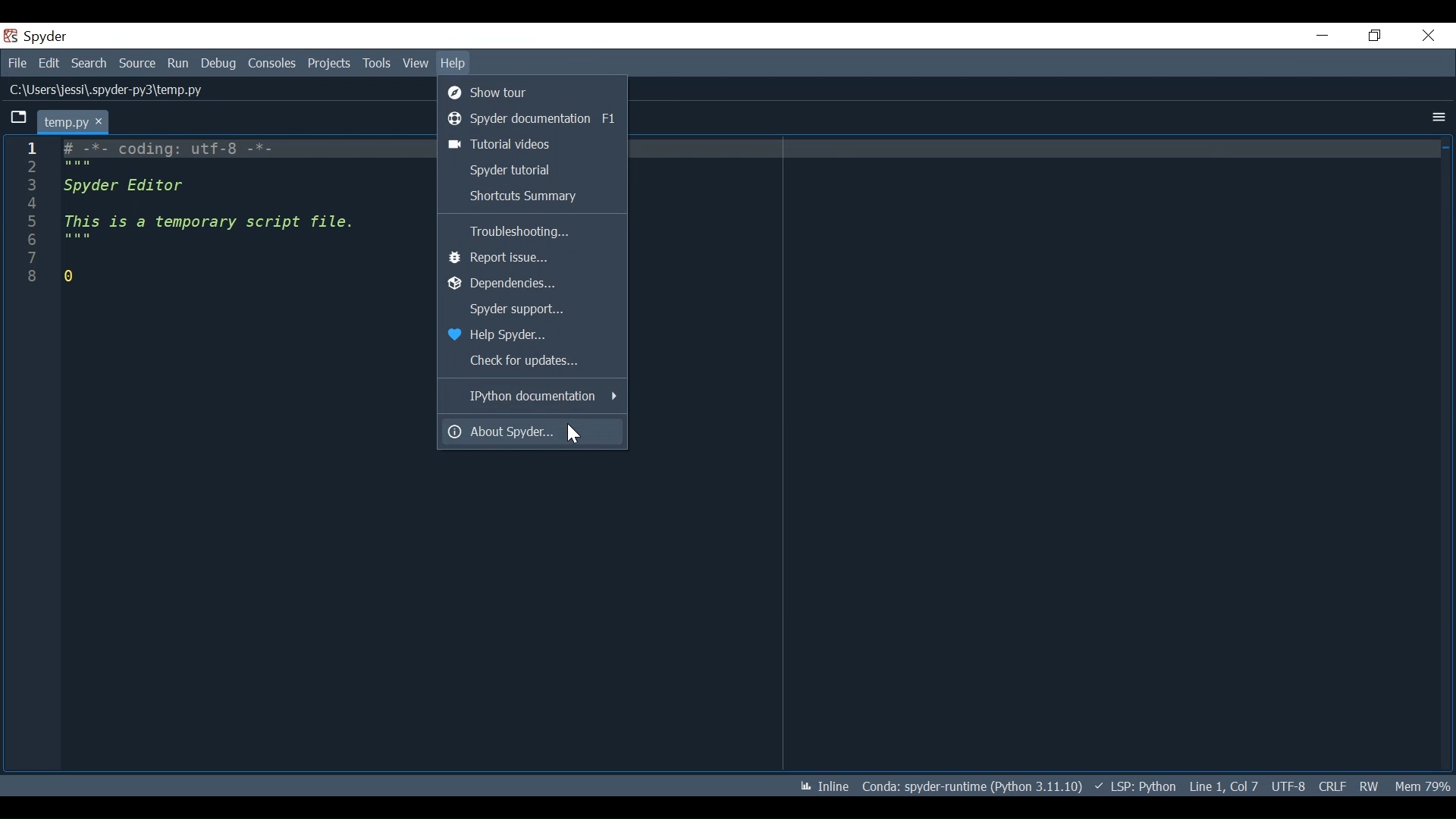  Describe the element at coordinates (1428, 36) in the screenshot. I see `Close` at that location.